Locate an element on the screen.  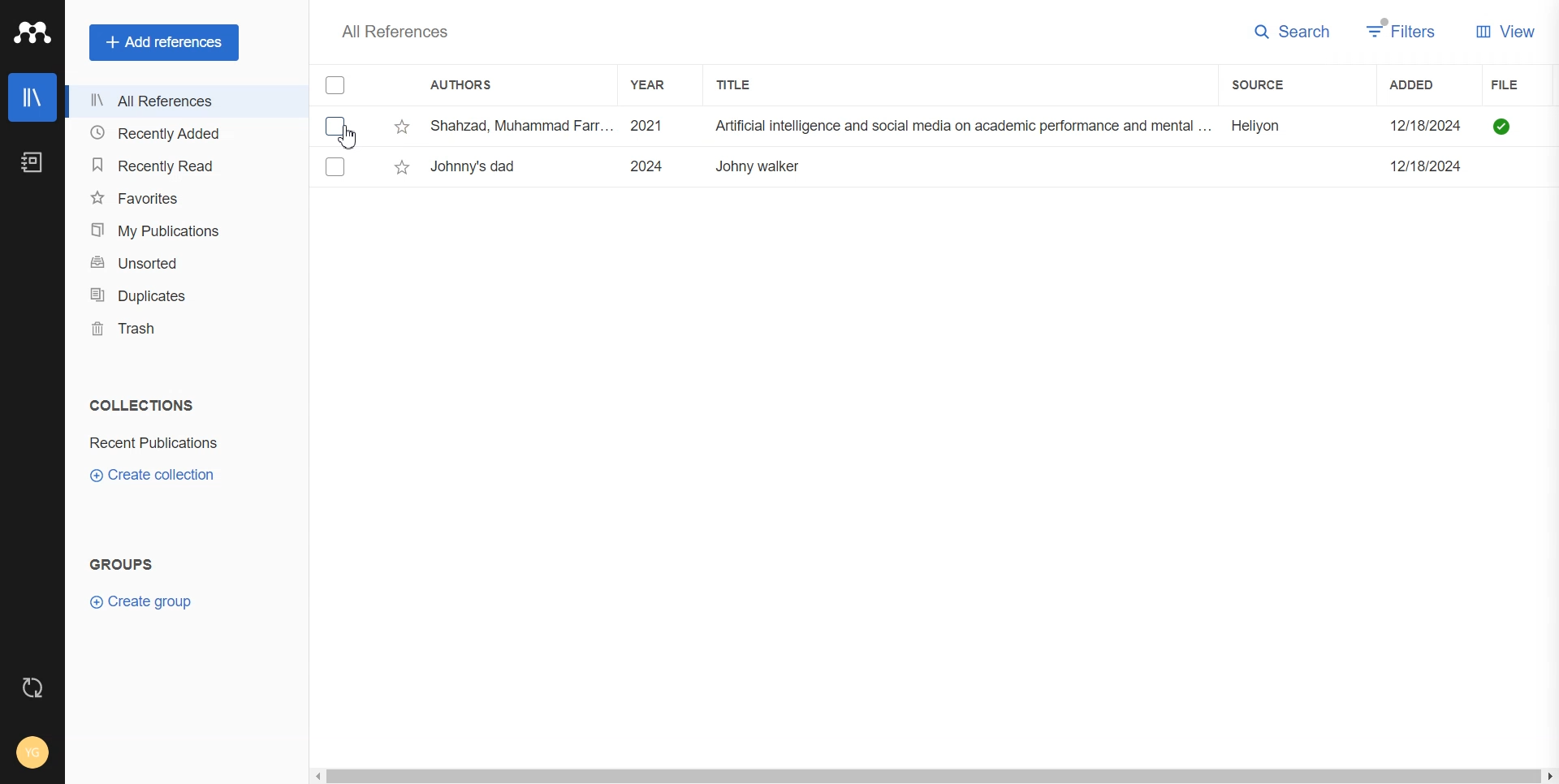
scroll left is located at coordinates (317, 777).